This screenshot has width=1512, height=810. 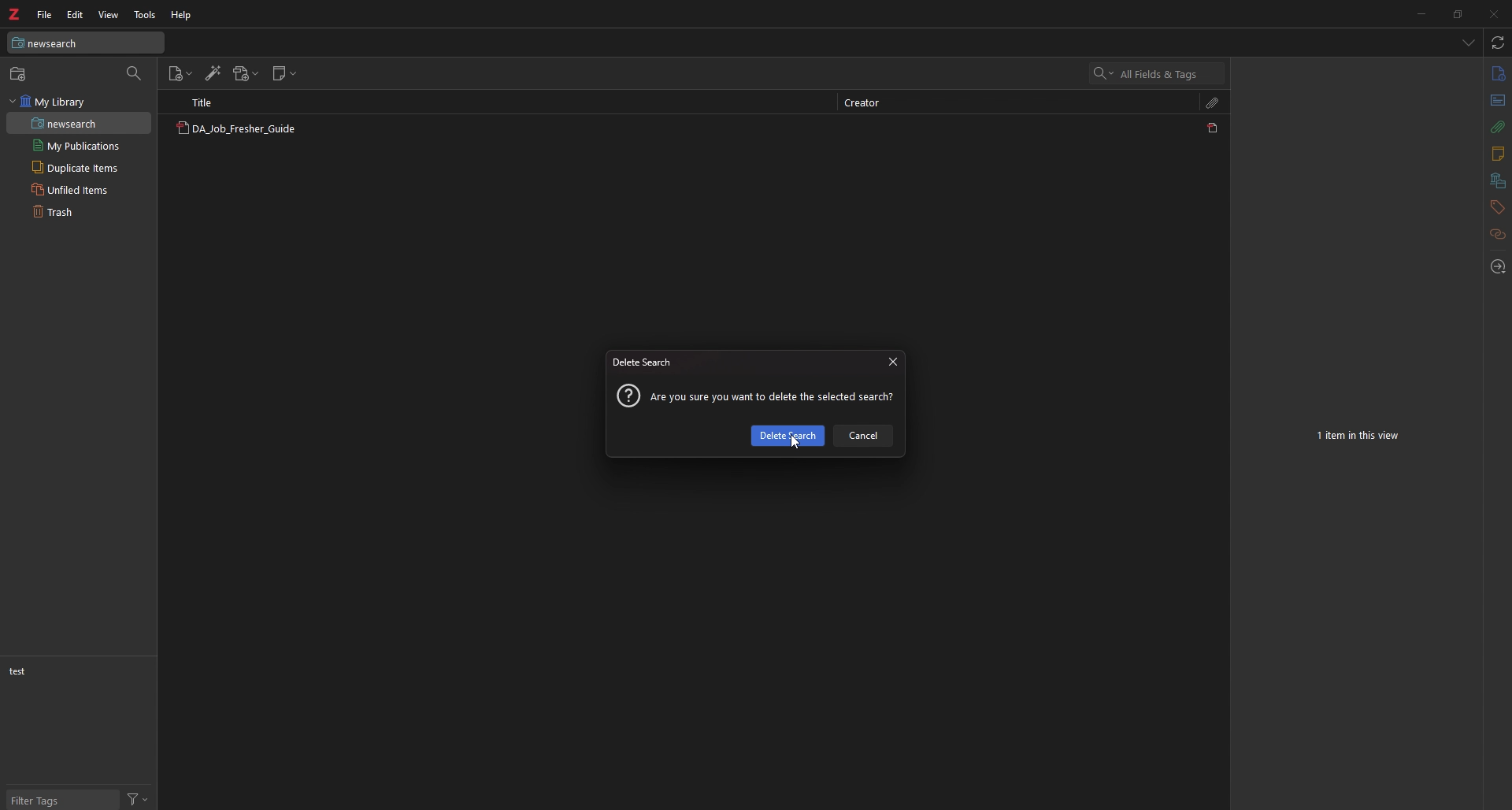 What do you see at coordinates (1497, 236) in the screenshot?
I see `Related` at bounding box center [1497, 236].